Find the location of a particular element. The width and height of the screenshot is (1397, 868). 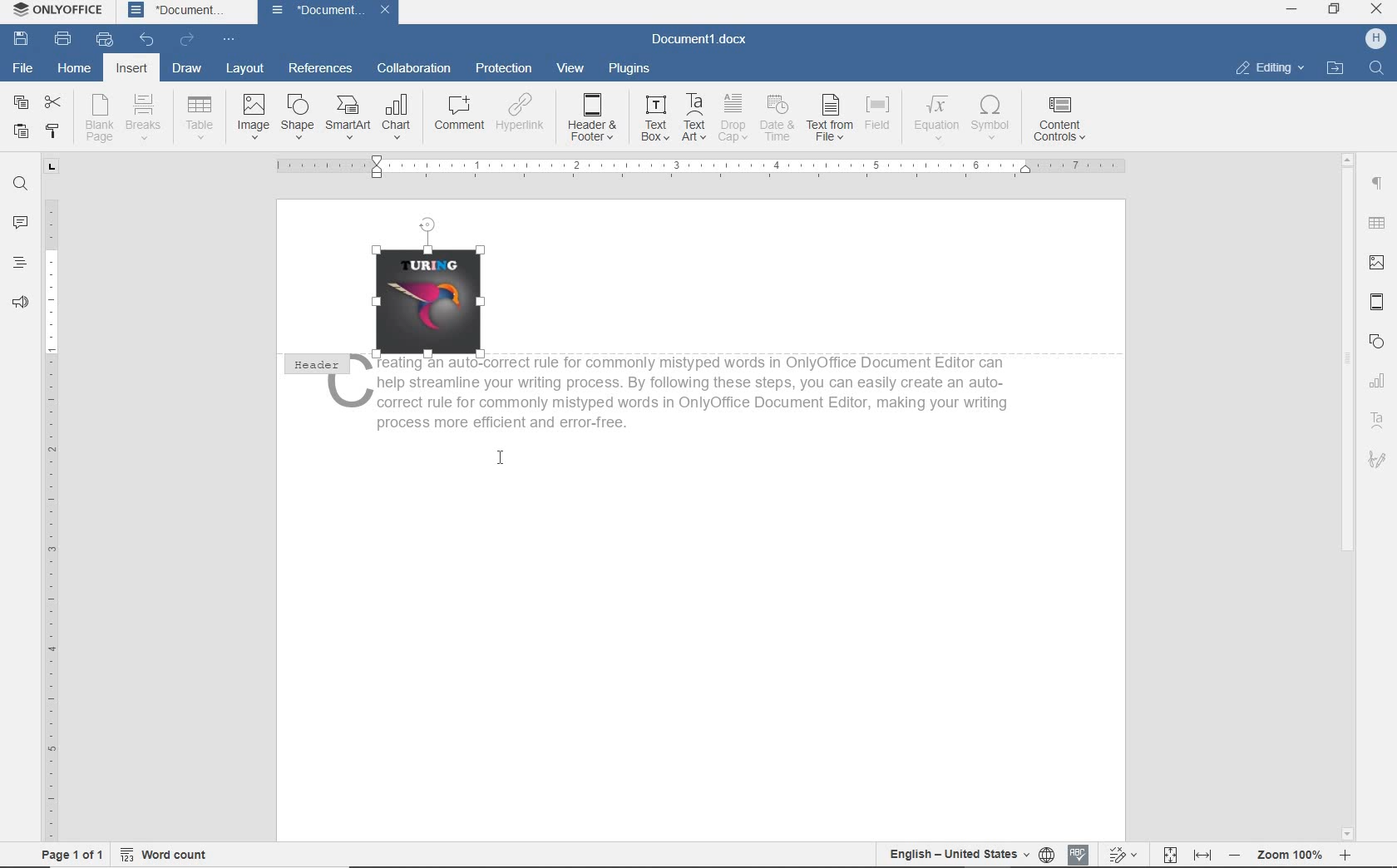

 is located at coordinates (696, 118).